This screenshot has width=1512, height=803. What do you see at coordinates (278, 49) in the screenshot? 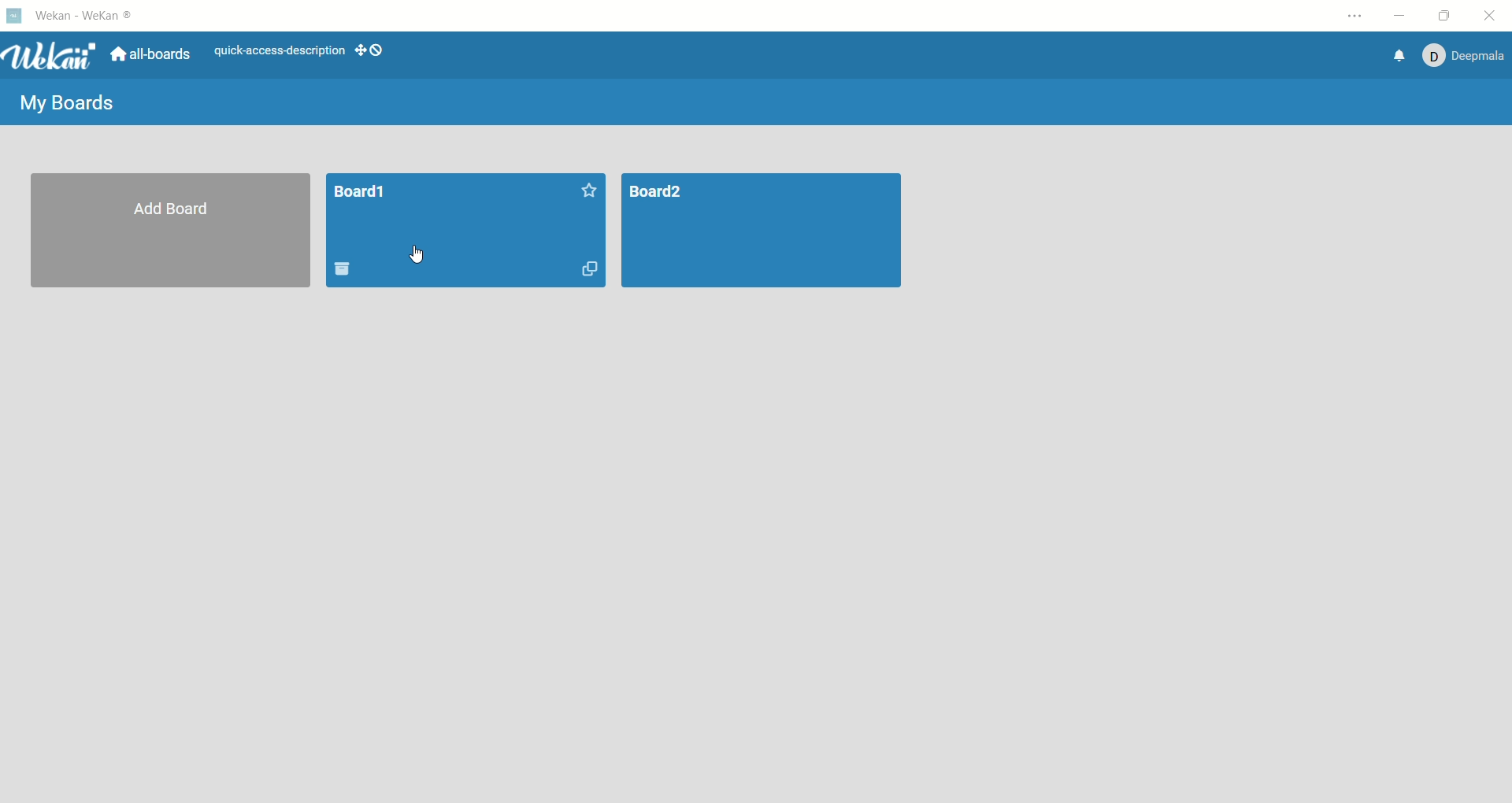
I see `text` at bounding box center [278, 49].